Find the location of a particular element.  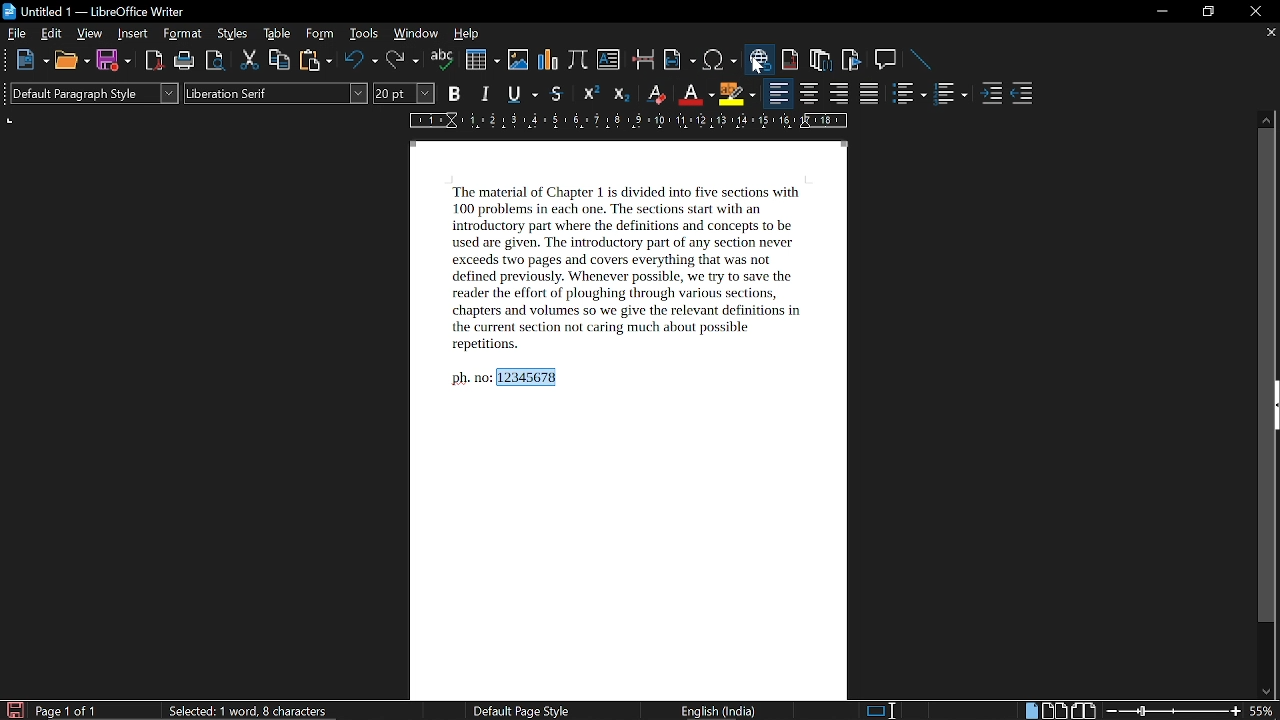

insert comment is located at coordinates (885, 59).